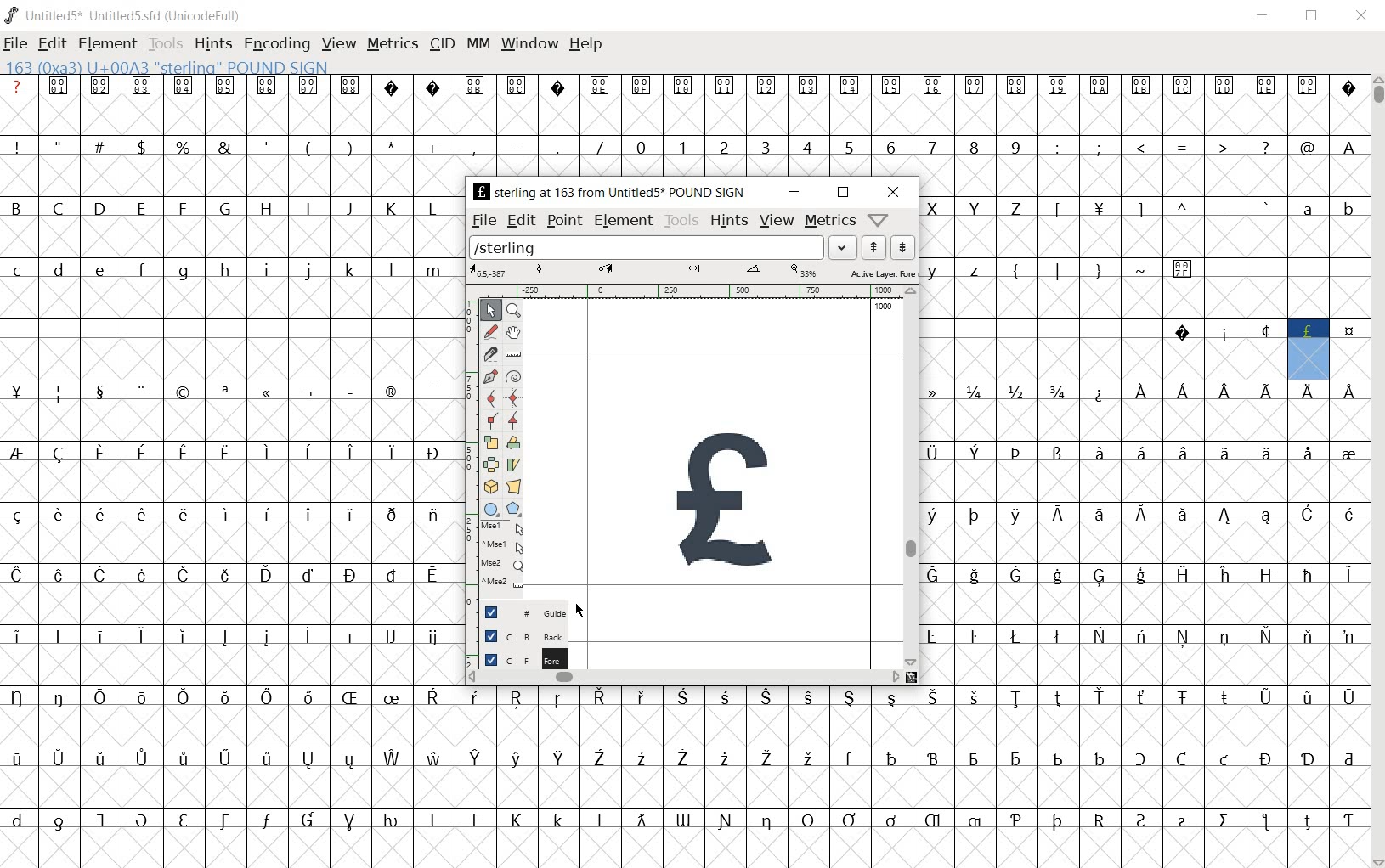 The image size is (1385, 868). Describe the element at coordinates (513, 355) in the screenshot. I see `ruler` at that location.